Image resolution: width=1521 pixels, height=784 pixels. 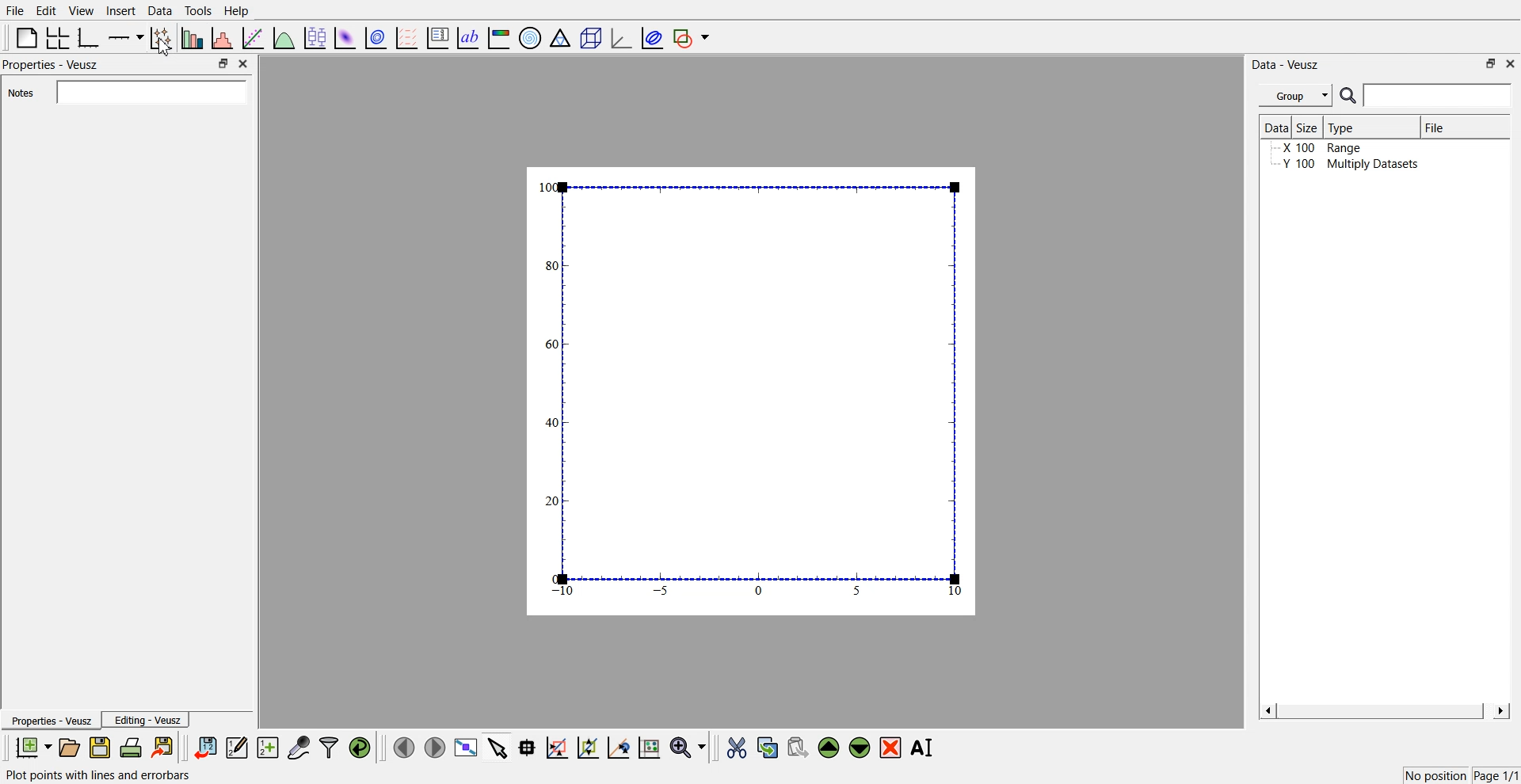 What do you see at coordinates (1491, 63) in the screenshot?
I see `minimise or maximise` at bounding box center [1491, 63].